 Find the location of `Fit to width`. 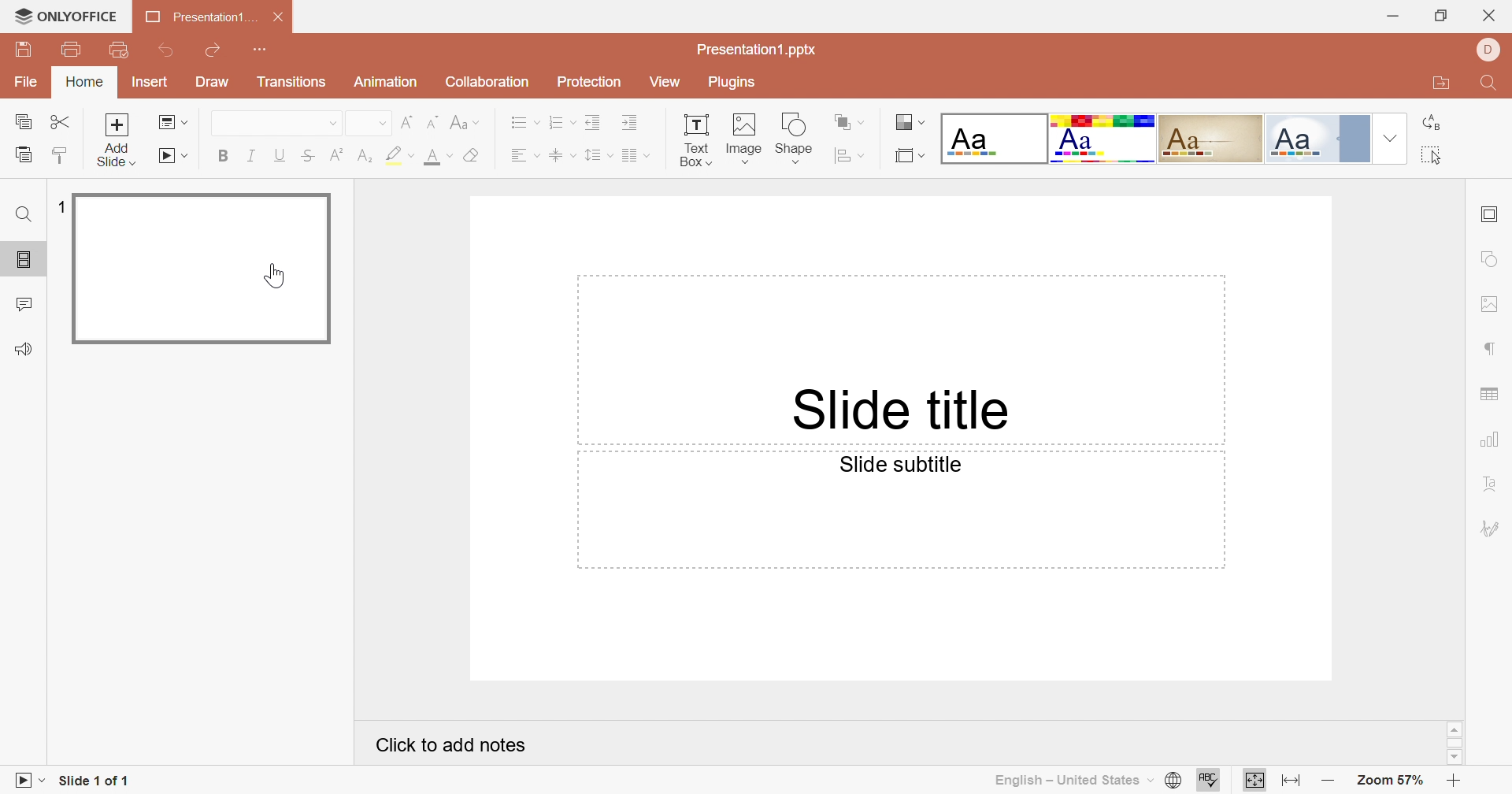

Fit to width is located at coordinates (1294, 780).